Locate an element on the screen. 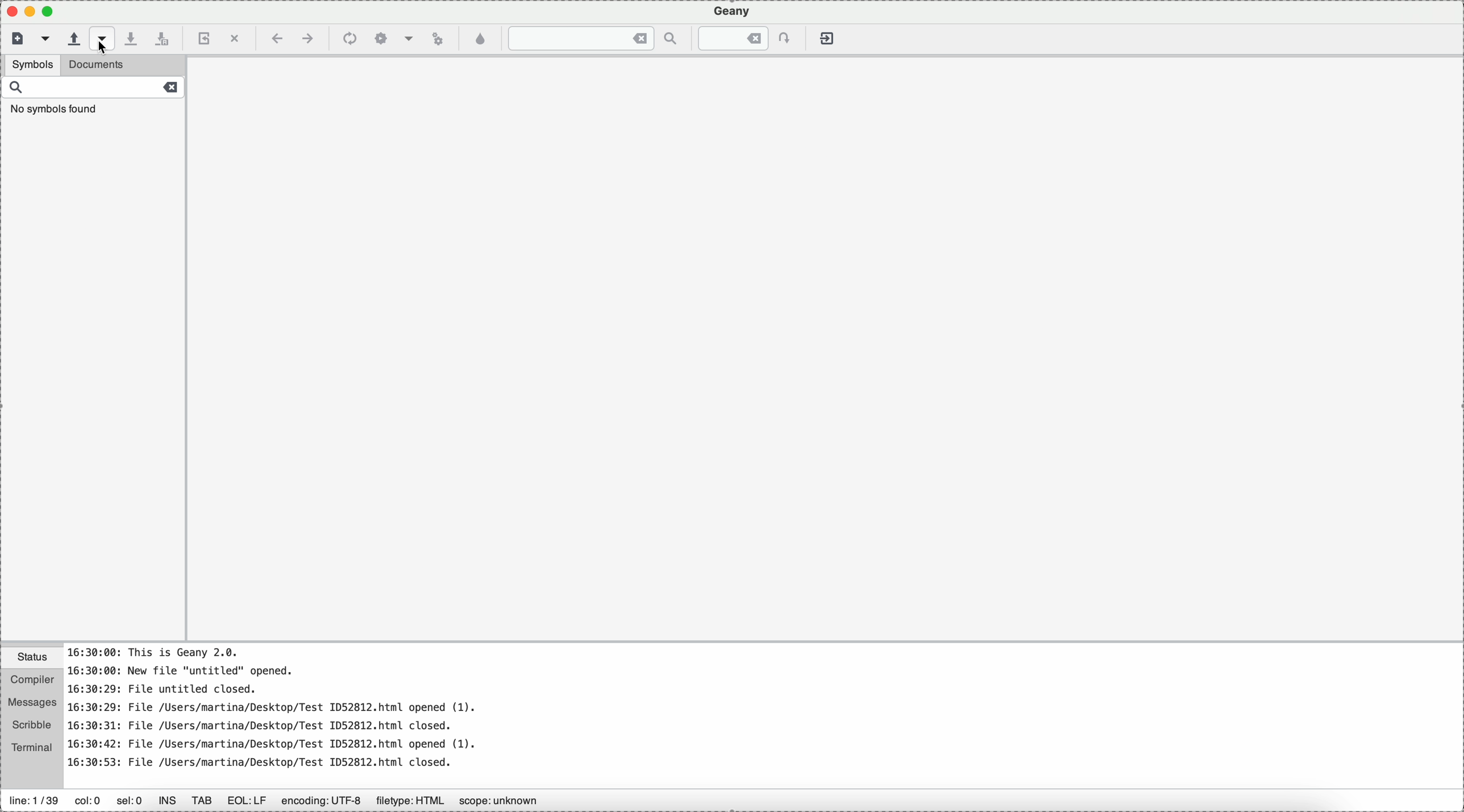 The width and height of the screenshot is (1464, 812). save all open files is located at coordinates (165, 37).